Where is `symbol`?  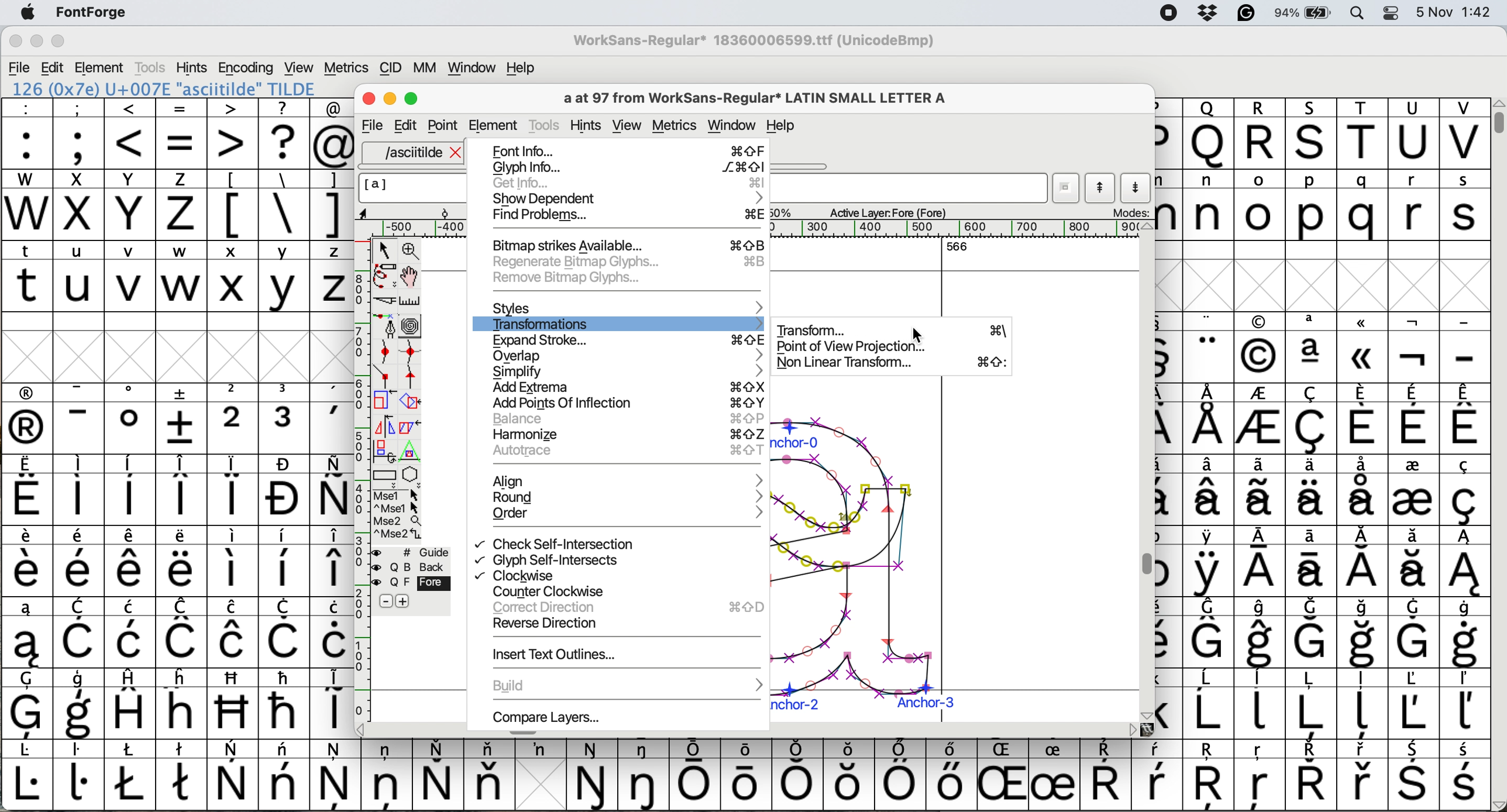
symbol is located at coordinates (332, 701).